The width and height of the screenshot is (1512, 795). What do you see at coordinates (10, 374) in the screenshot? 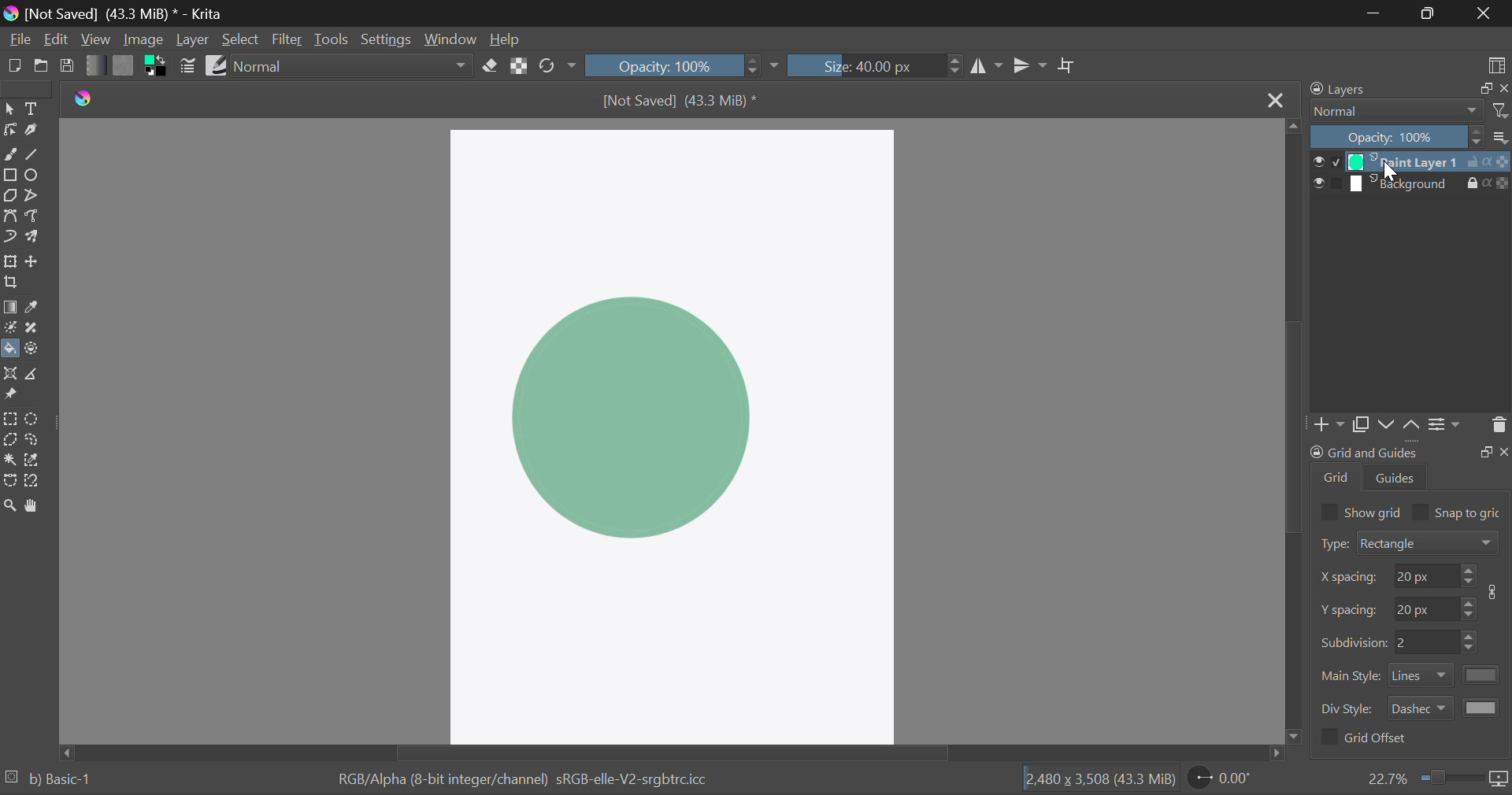
I see `Assistant Tool` at bounding box center [10, 374].